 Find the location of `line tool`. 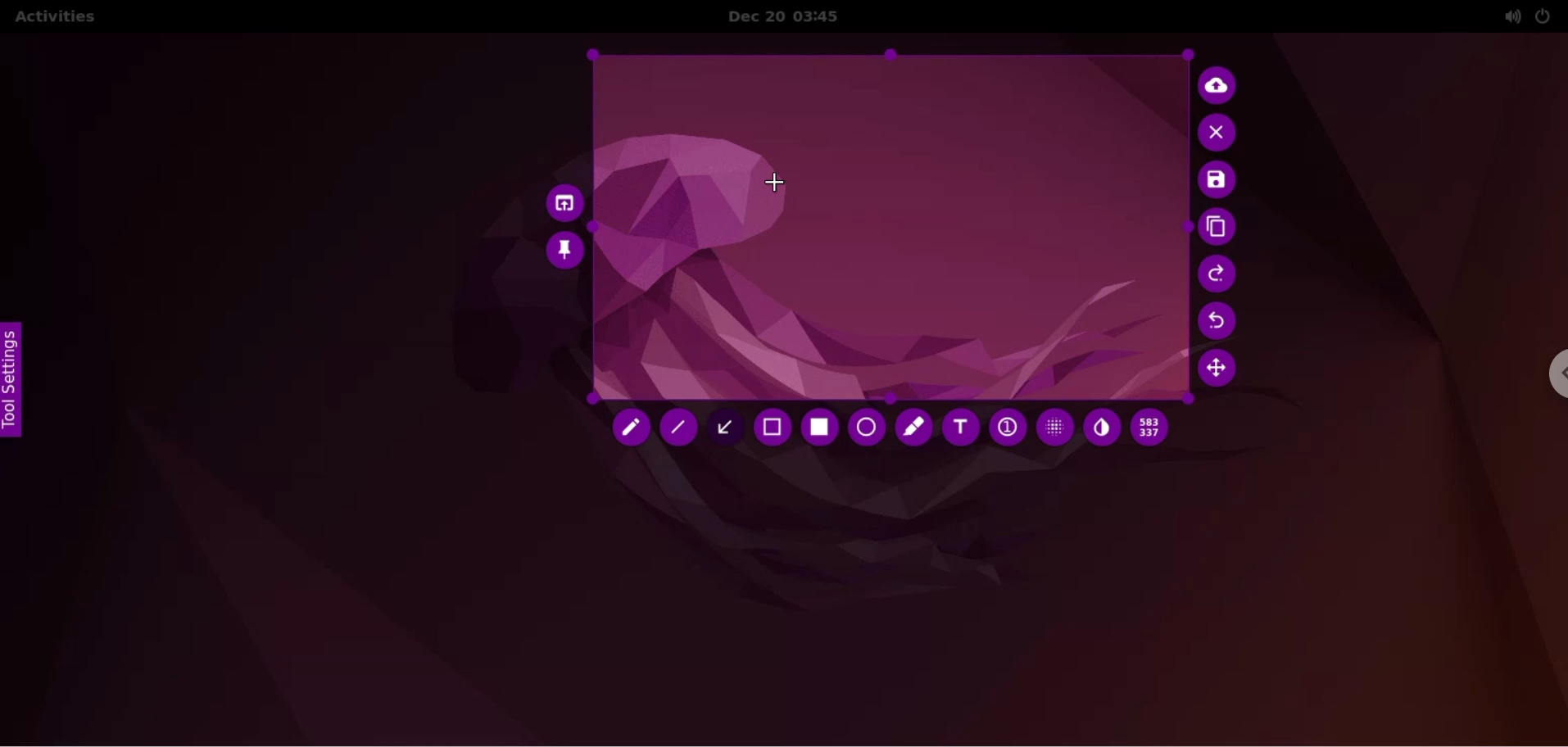

line tool is located at coordinates (681, 432).